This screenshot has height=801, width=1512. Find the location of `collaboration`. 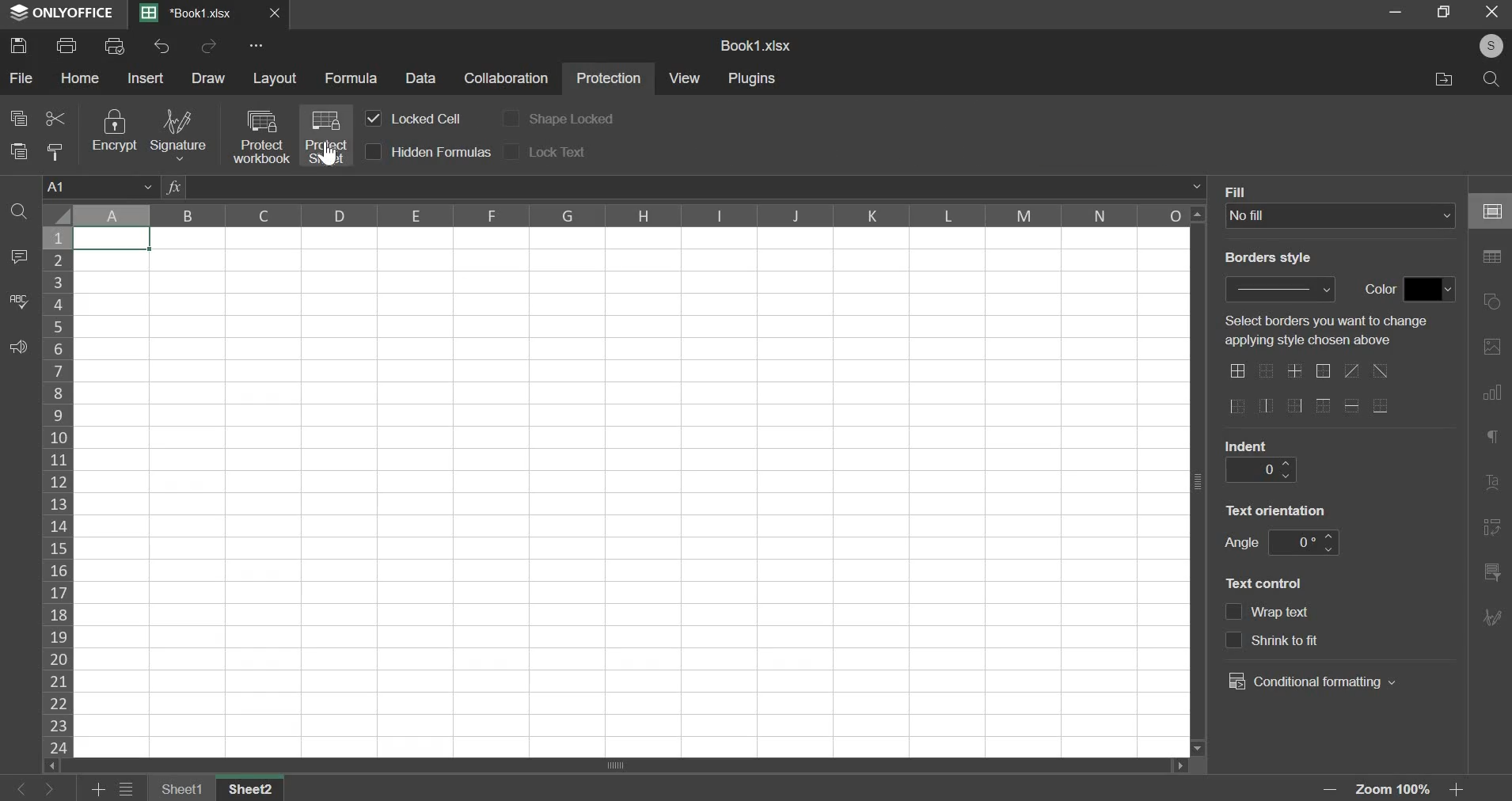

collaboration is located at coordinates (507, 79).